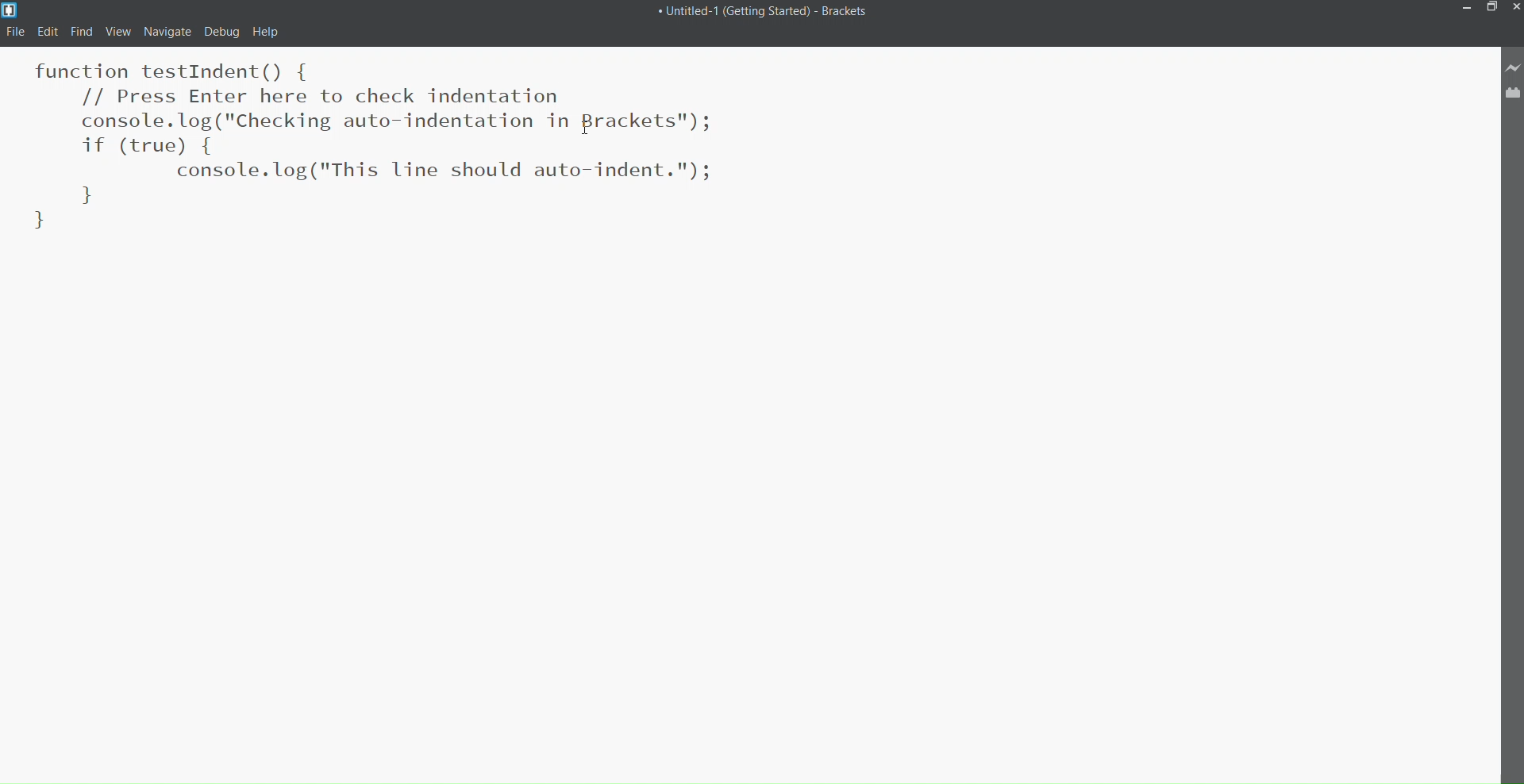 The image size is (1524, 784). I want to click on Edit, so click(49, 30).